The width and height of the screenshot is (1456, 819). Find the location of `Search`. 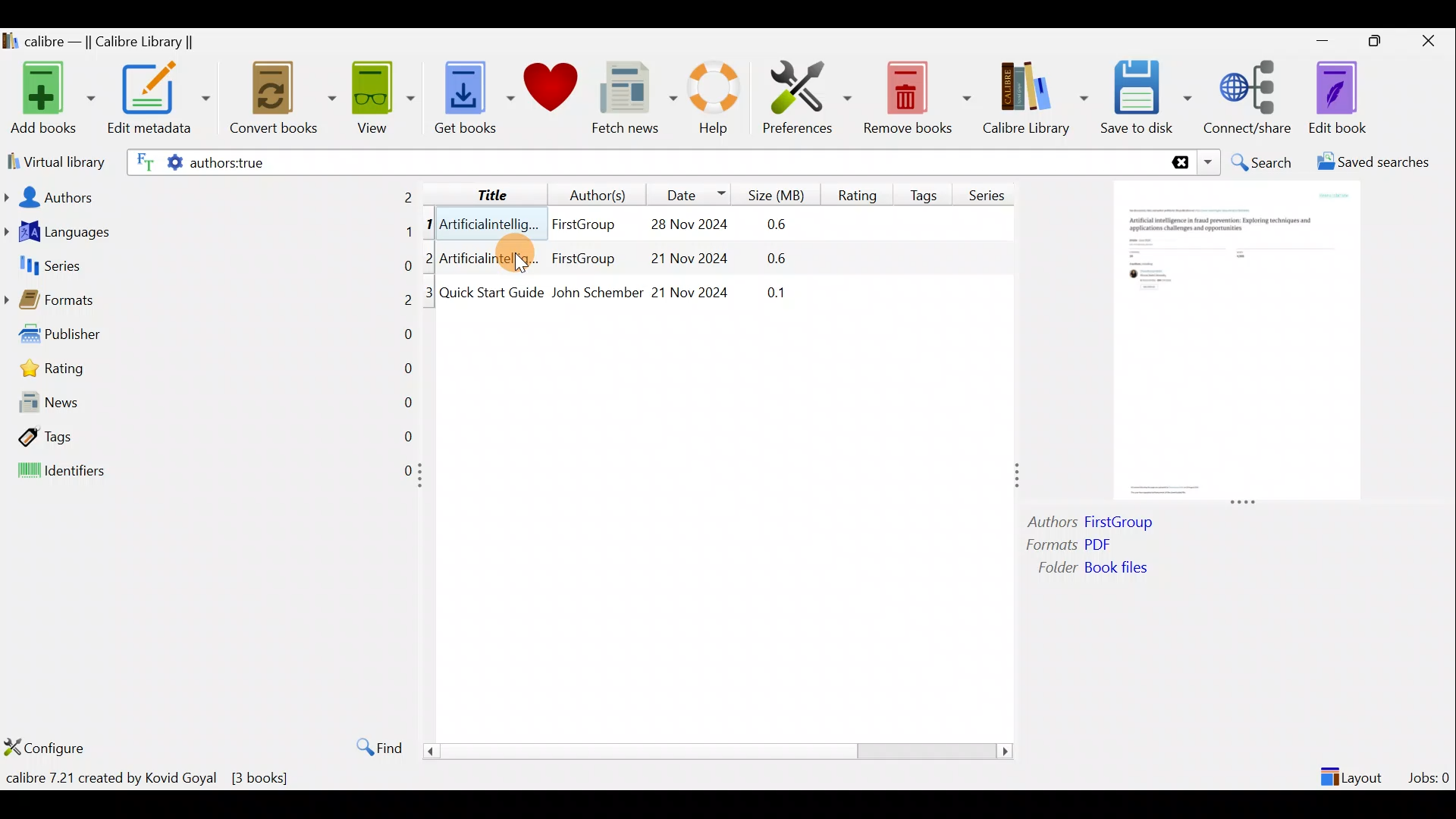

Search is located at coordinates (1263, 162).